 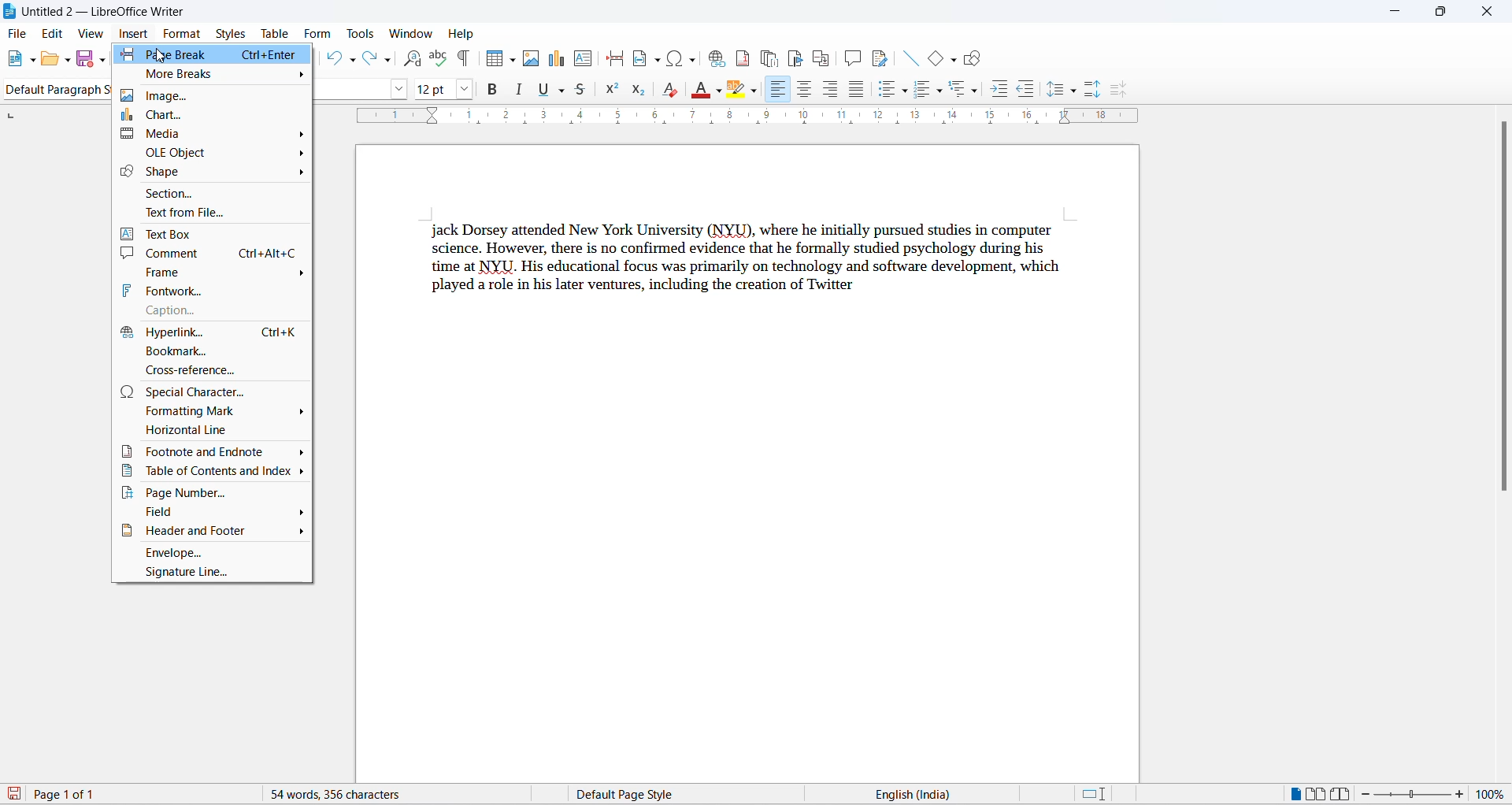 I want to click on chart, so click(x=214, y=115).